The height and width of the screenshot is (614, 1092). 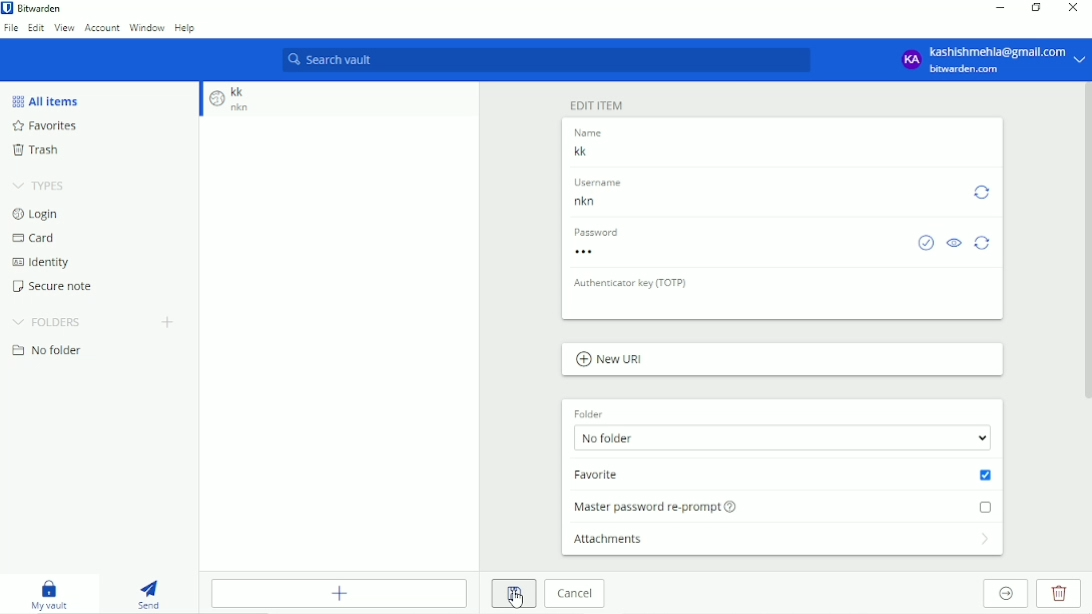 I want to click on Added to favorite, so click(x=782, y=474).